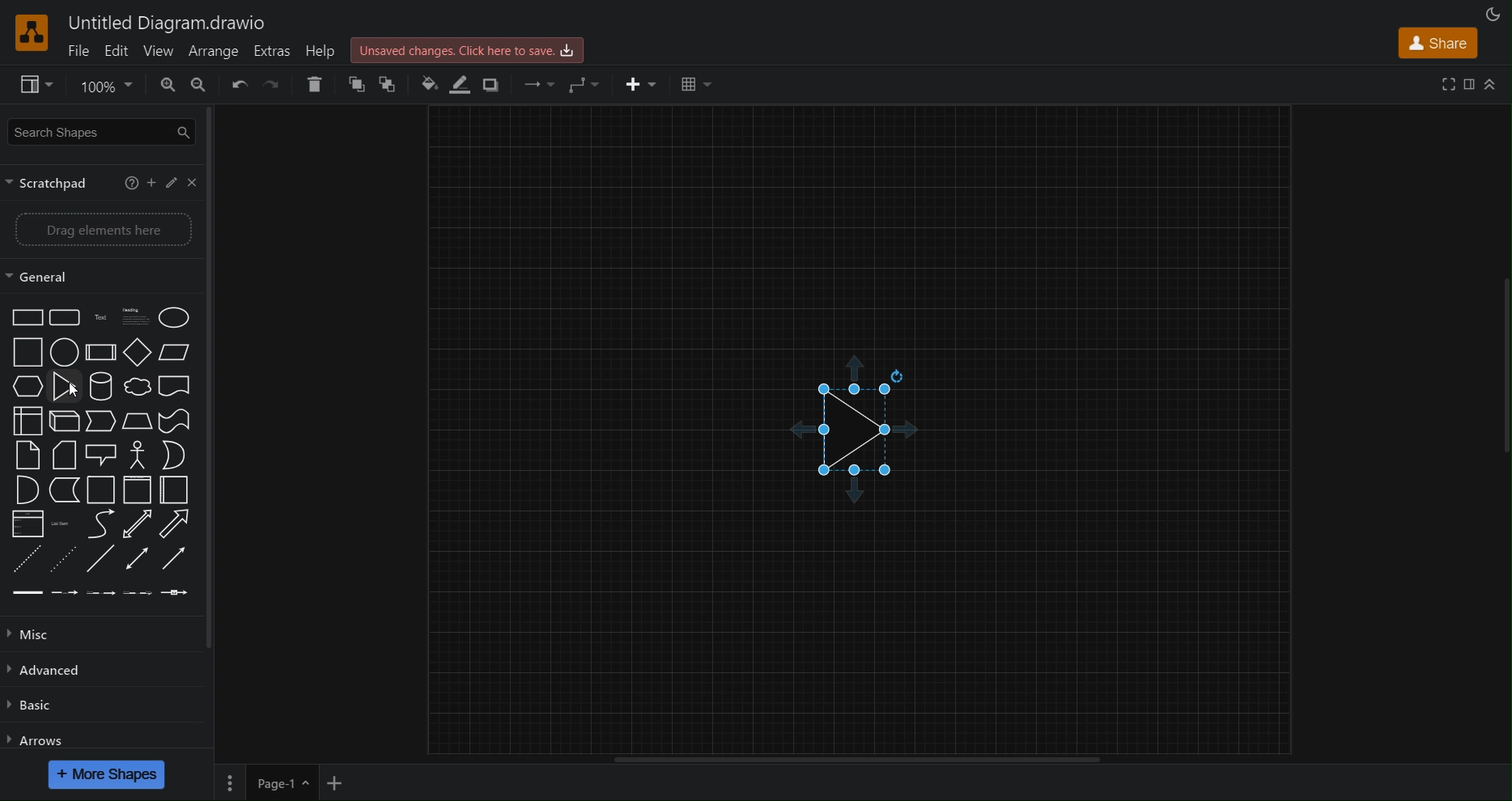 This screenshot has width=1512, height=801. What do you see at coordinates (106, 180) in the screenshot?
I see `Scratchpad` at bounding box center [106, 180].